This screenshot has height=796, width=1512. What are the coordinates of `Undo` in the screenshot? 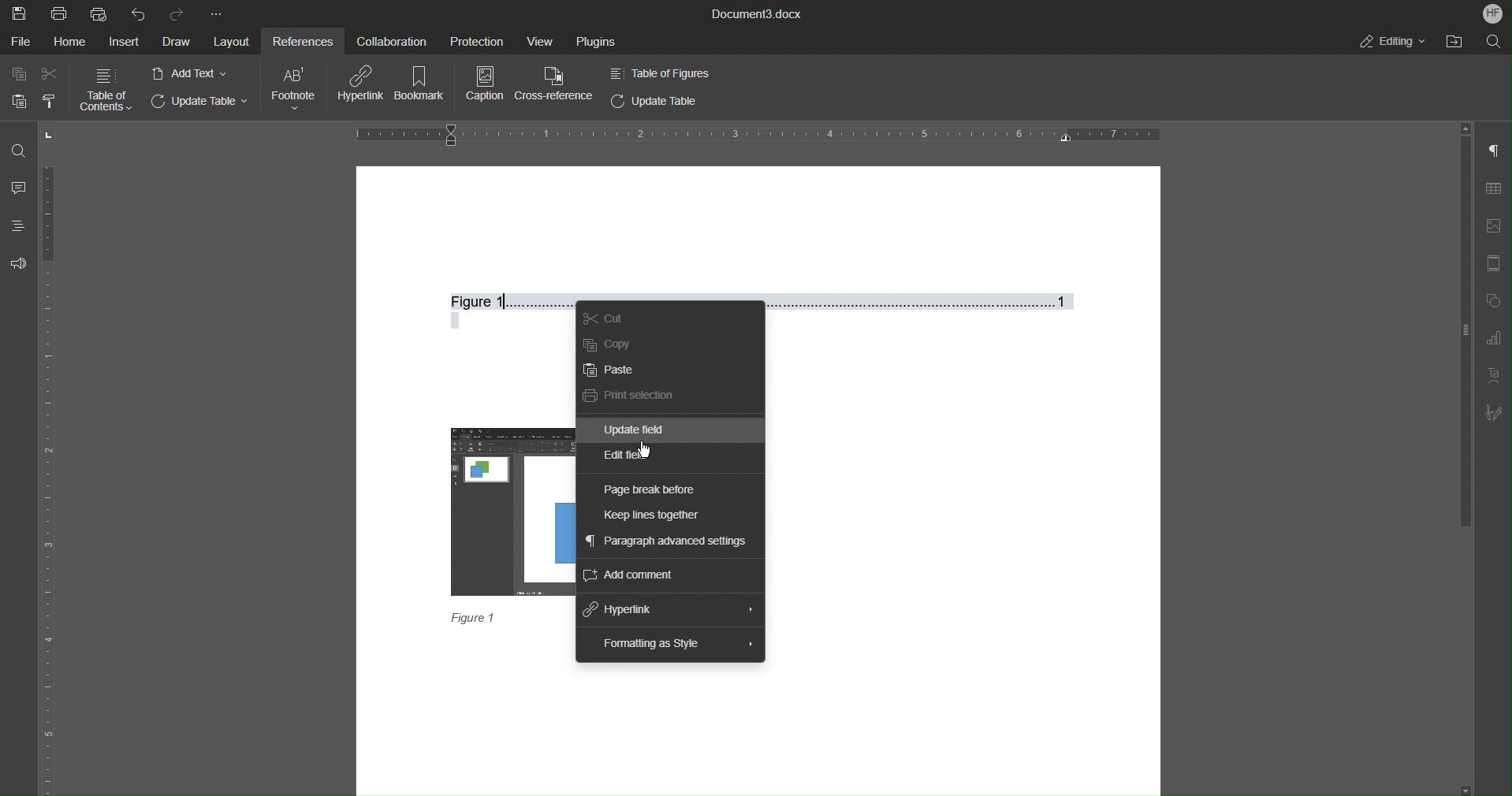 It's located at (138, 13).